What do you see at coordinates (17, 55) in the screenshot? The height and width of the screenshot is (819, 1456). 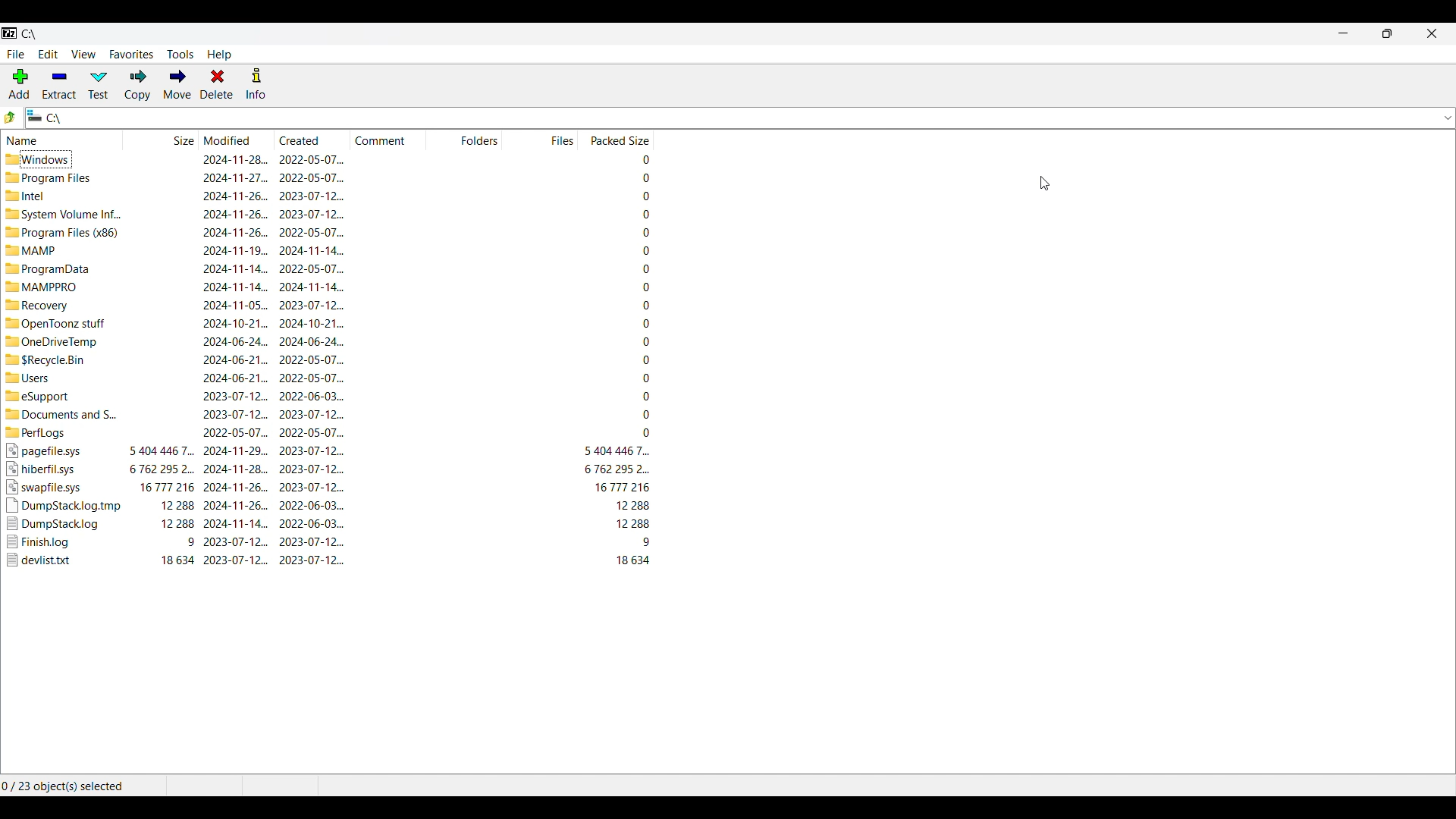 I see `File menu` at bounding box center [17, 55].